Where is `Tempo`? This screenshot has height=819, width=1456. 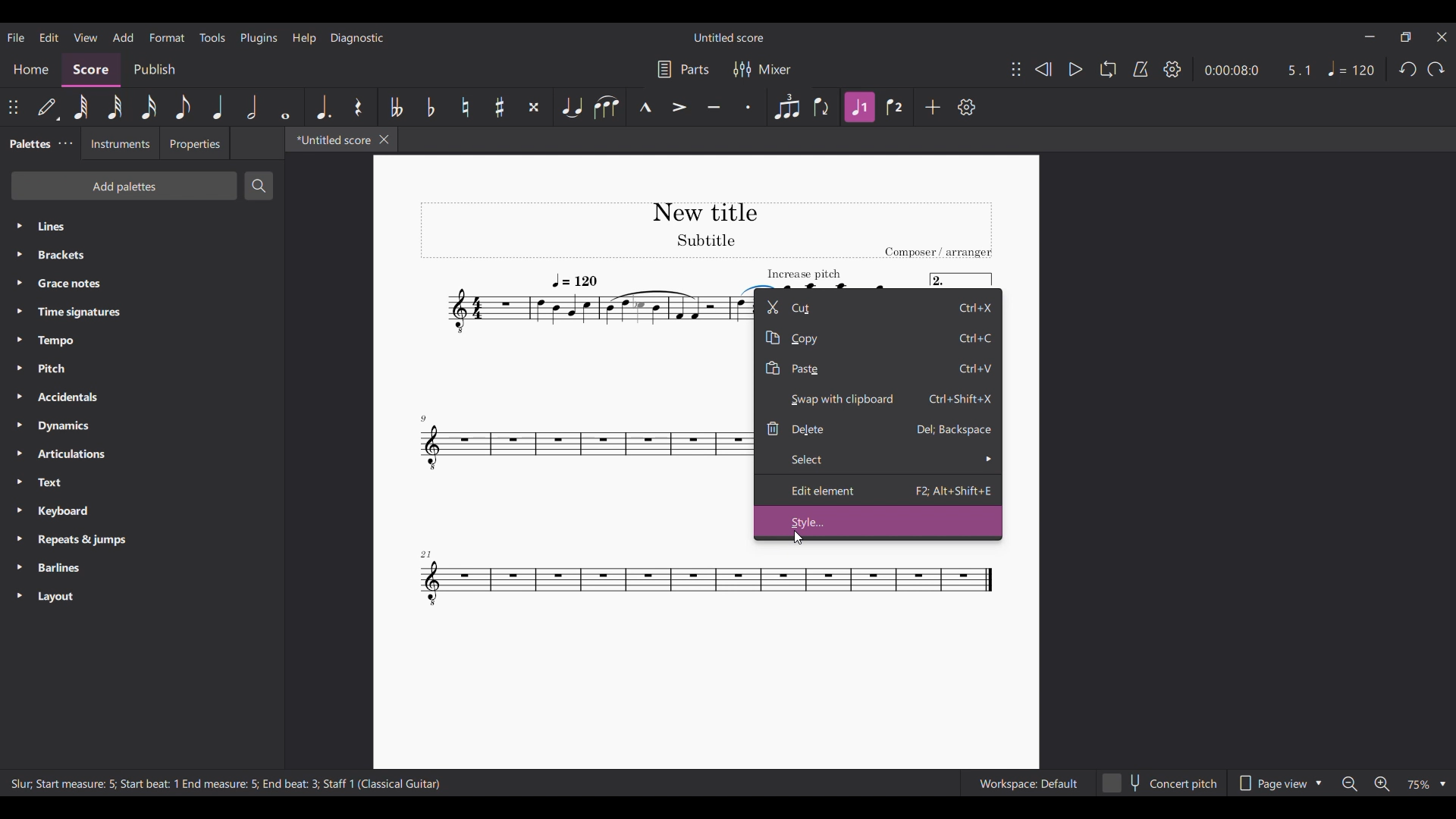 Tempo is located at coordinates (142, 341).